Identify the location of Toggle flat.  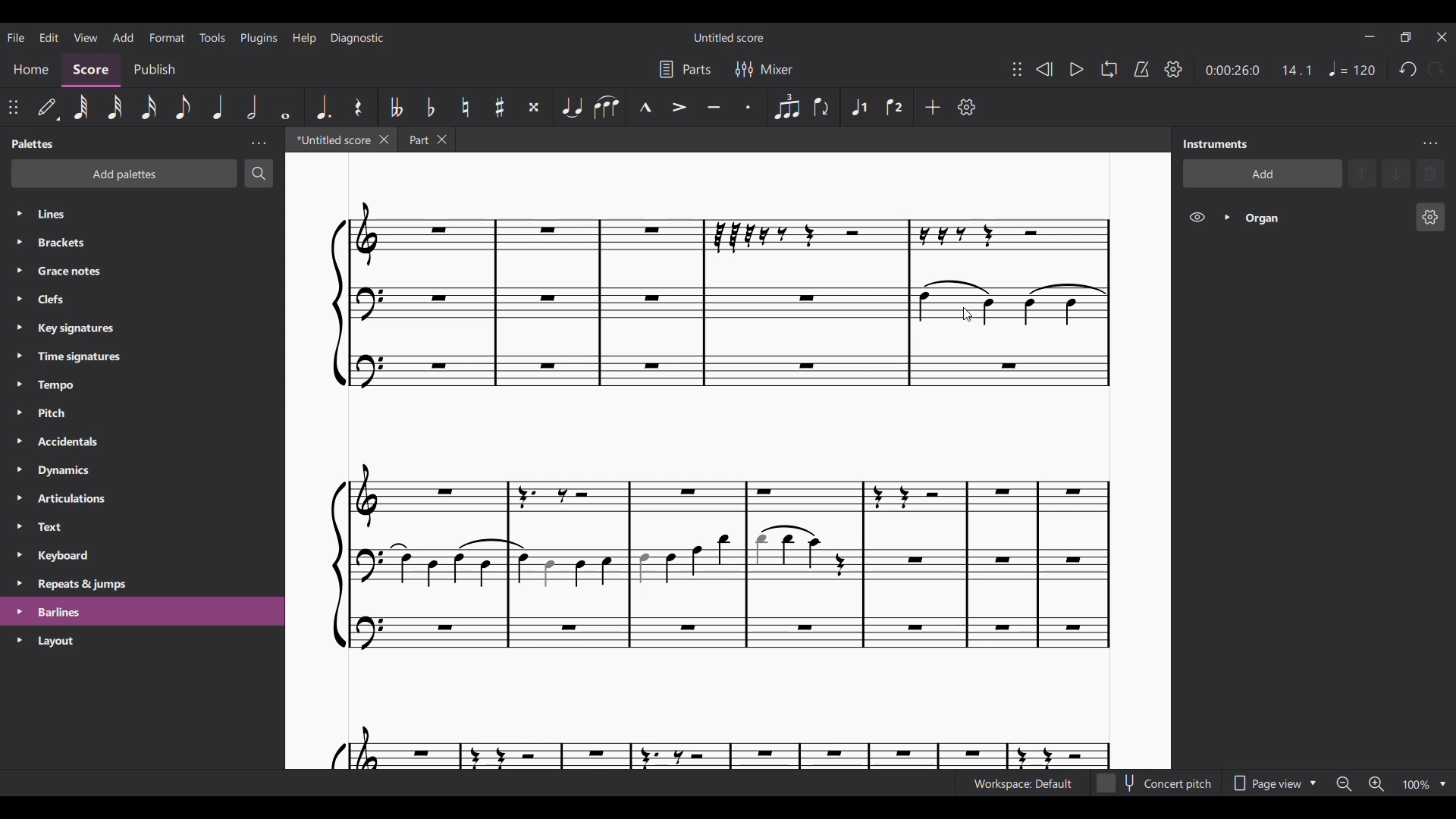
(431, 107).